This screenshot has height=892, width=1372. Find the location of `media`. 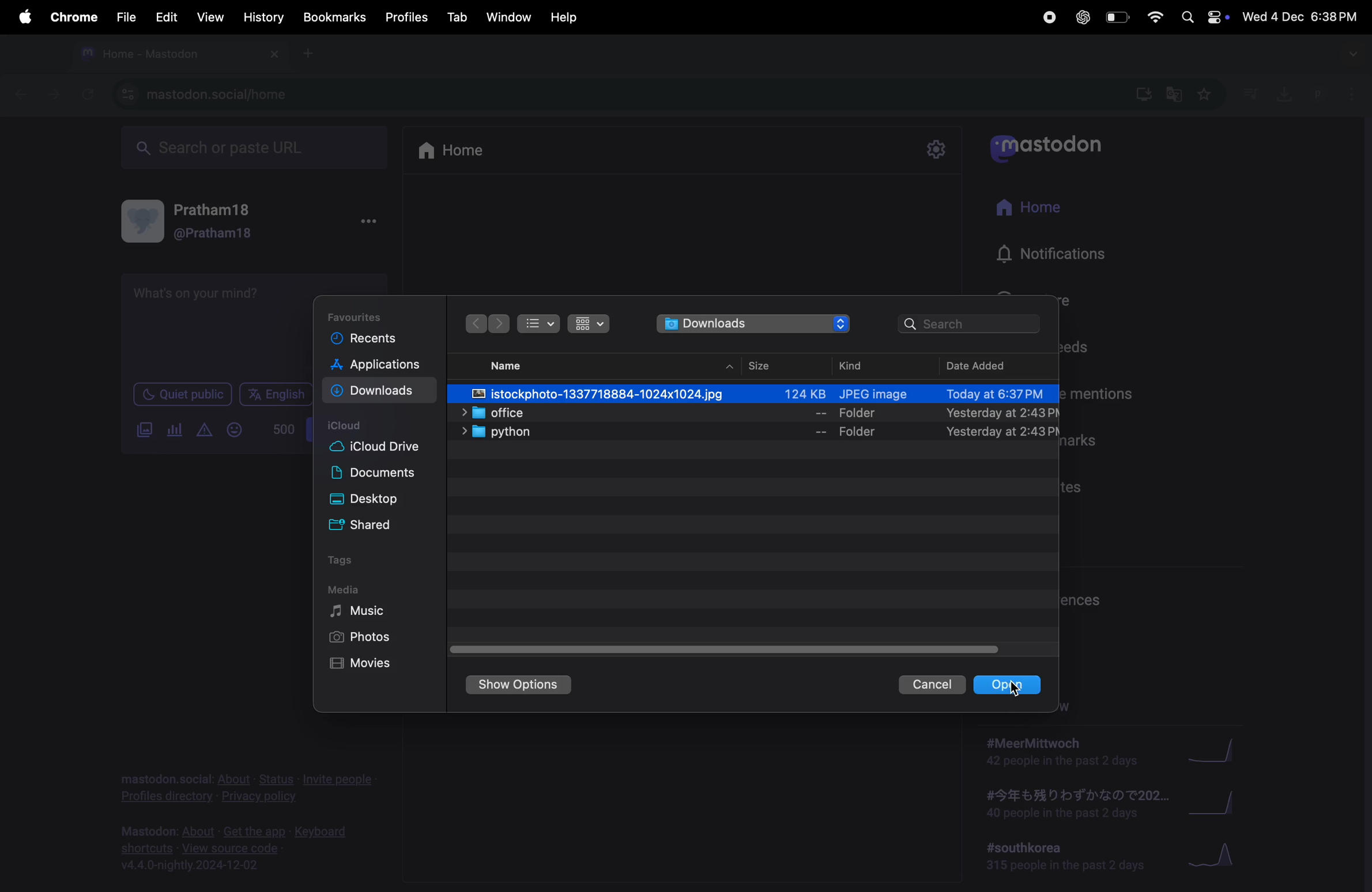

media is located at coordinates (349, 589).